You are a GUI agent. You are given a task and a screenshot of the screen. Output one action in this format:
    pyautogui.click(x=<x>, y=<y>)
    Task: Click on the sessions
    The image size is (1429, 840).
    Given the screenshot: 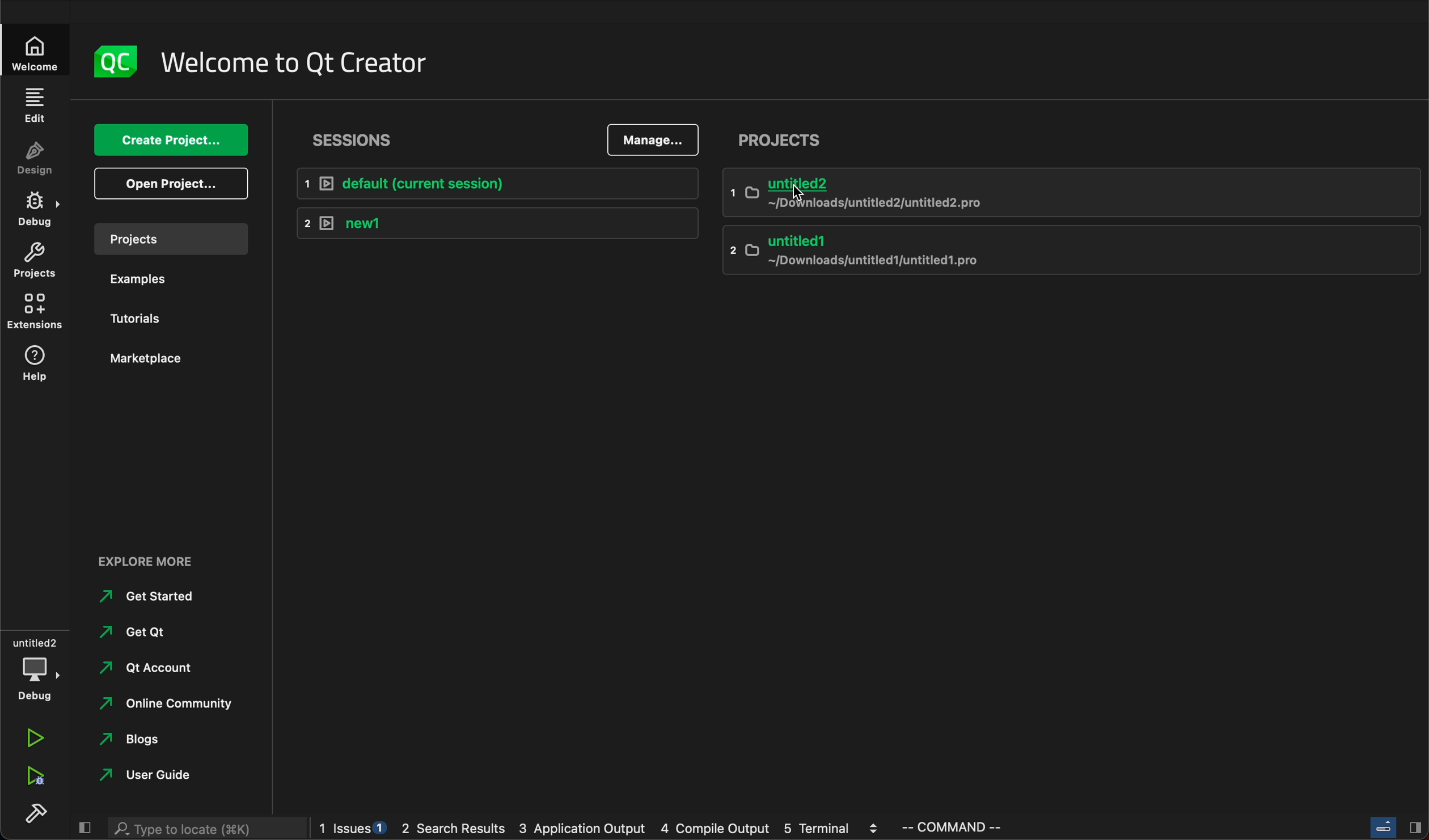 What is the action you would take?
    pyautogui.click(x=380, y=142)
    